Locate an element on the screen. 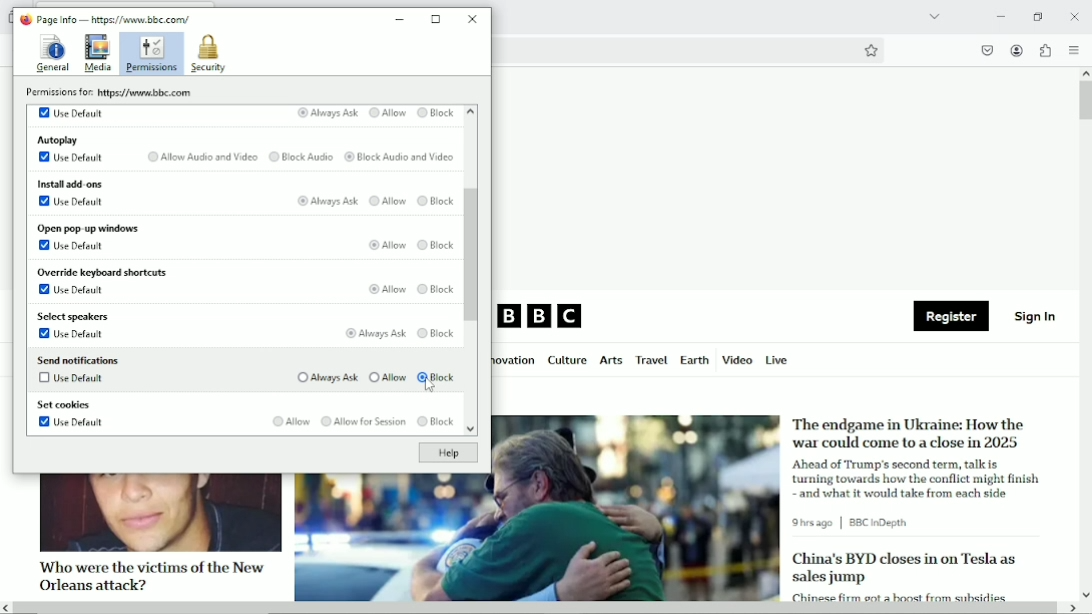 The width and height of the screenshot is (1092, 614). Extensions is located at coordinates (1044, 50).